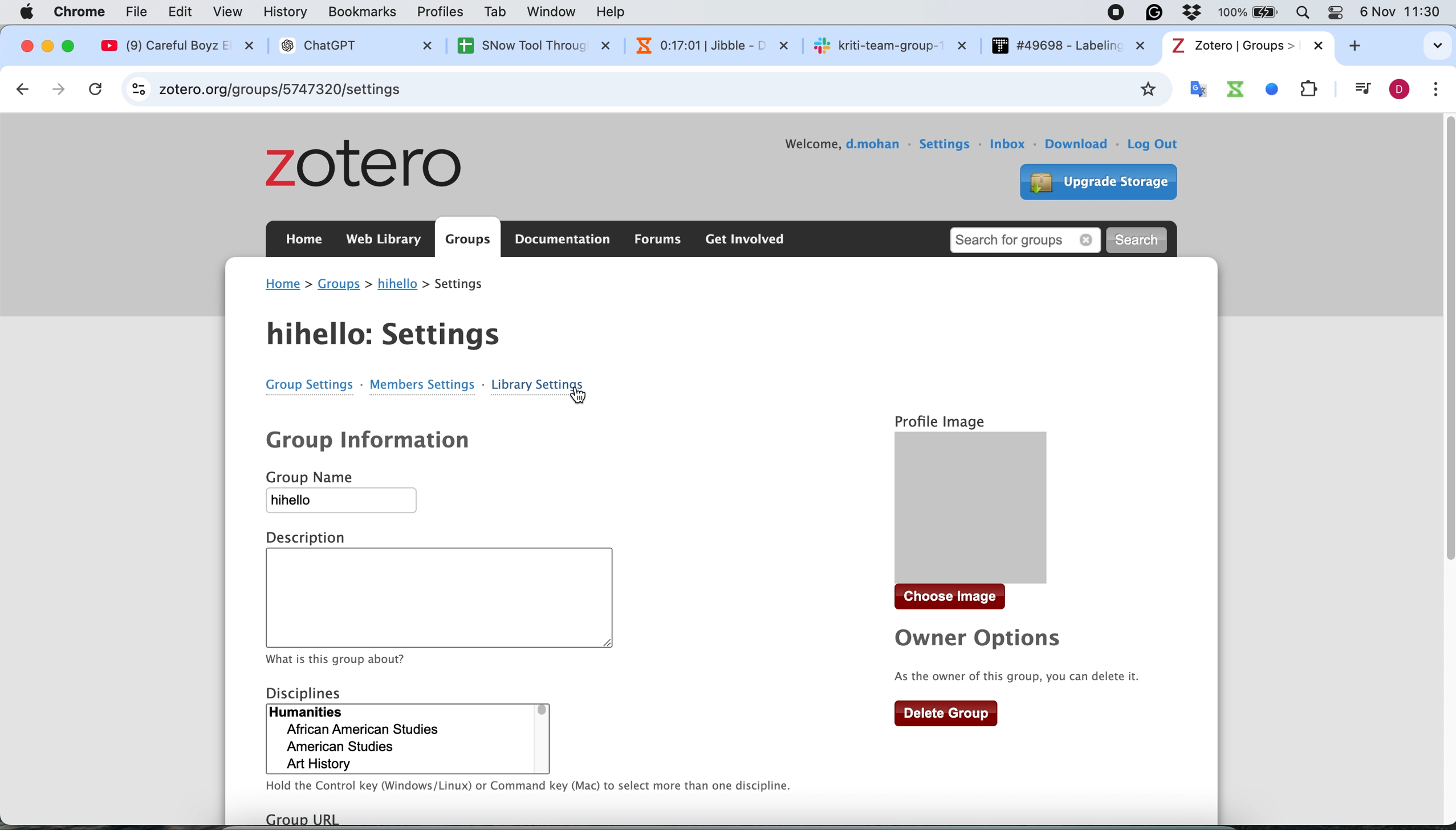  What do you see at coordinates (1333, 11) in the screenshot?
I see `Theme change` at bounding box center [1333, 11].